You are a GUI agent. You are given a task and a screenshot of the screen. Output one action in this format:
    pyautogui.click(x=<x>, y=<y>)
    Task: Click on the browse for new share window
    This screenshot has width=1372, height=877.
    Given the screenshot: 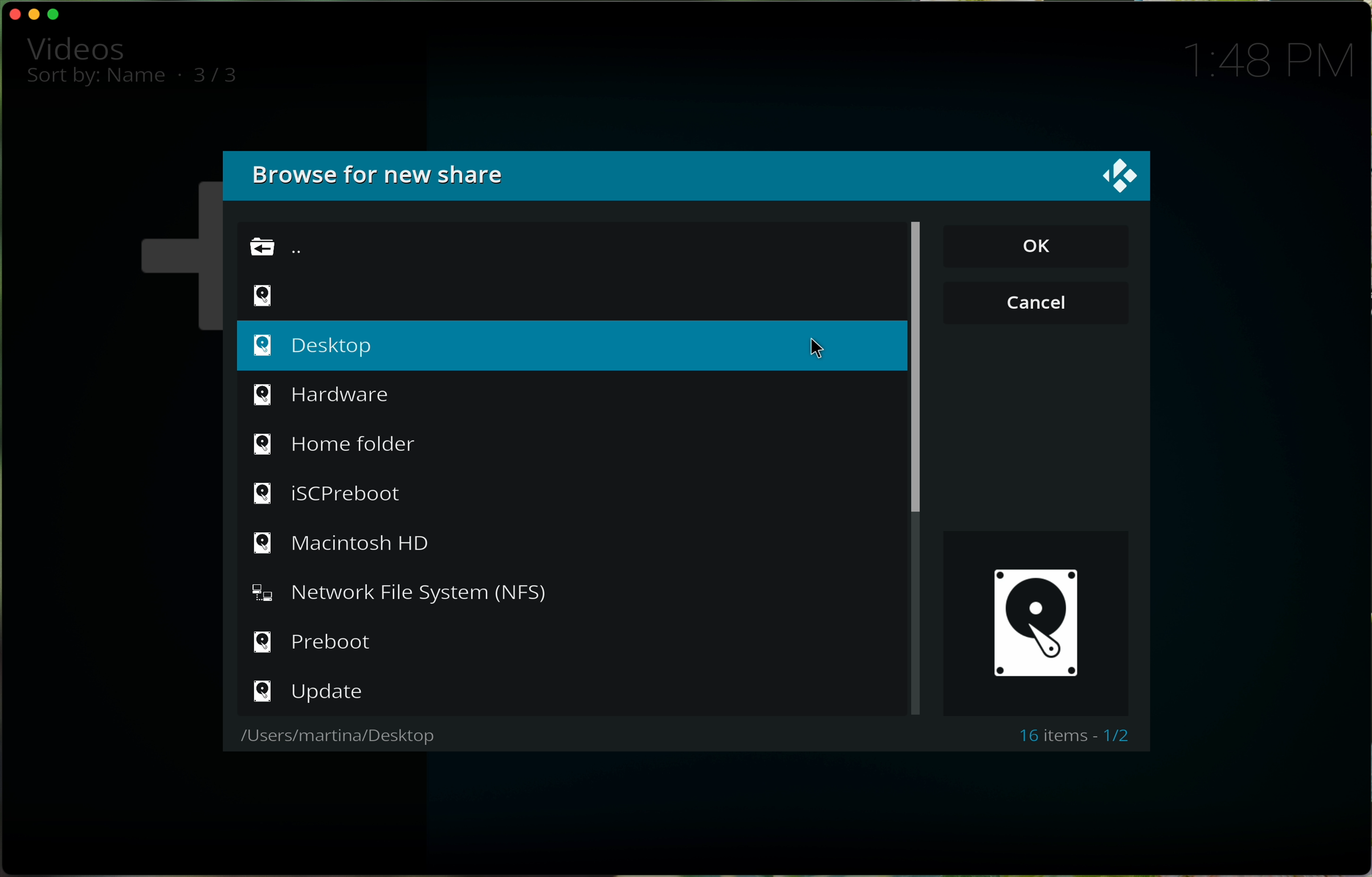 What is the action you would take?
    pyautogui.click(x=654, y=175)
    